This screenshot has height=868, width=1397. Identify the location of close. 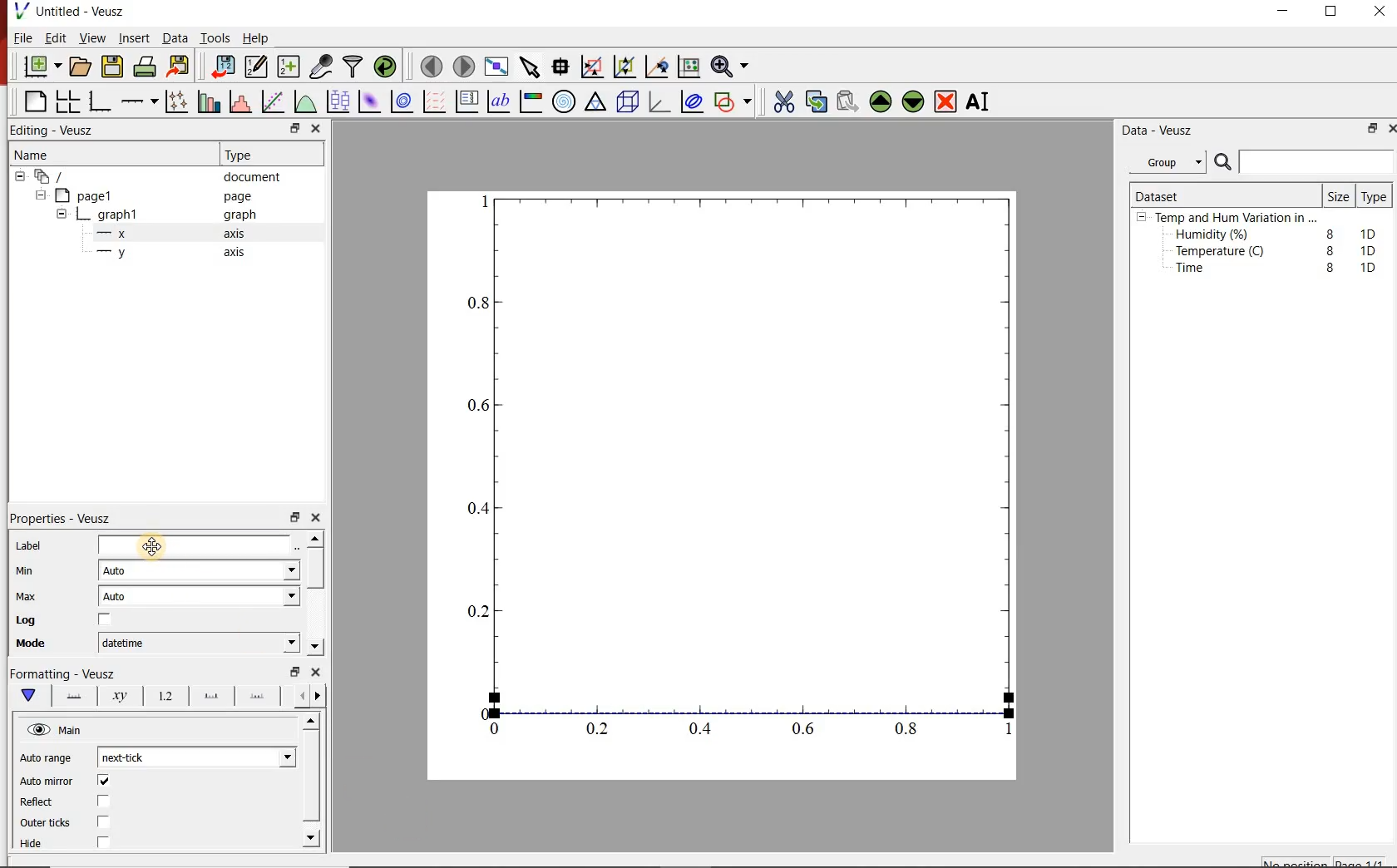
(1389, 128).